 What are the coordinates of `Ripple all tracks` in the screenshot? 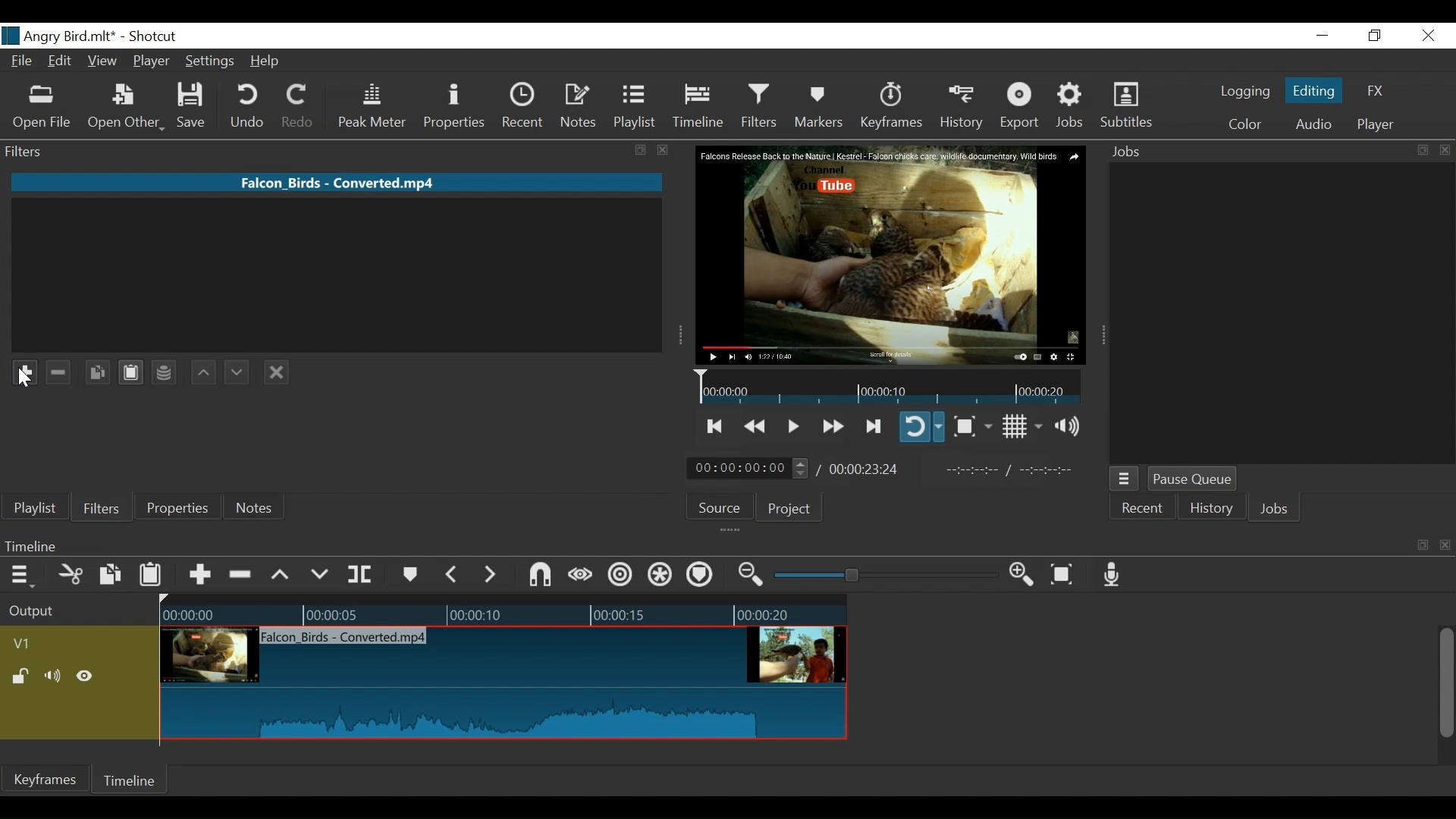 It's located at (699, 576).